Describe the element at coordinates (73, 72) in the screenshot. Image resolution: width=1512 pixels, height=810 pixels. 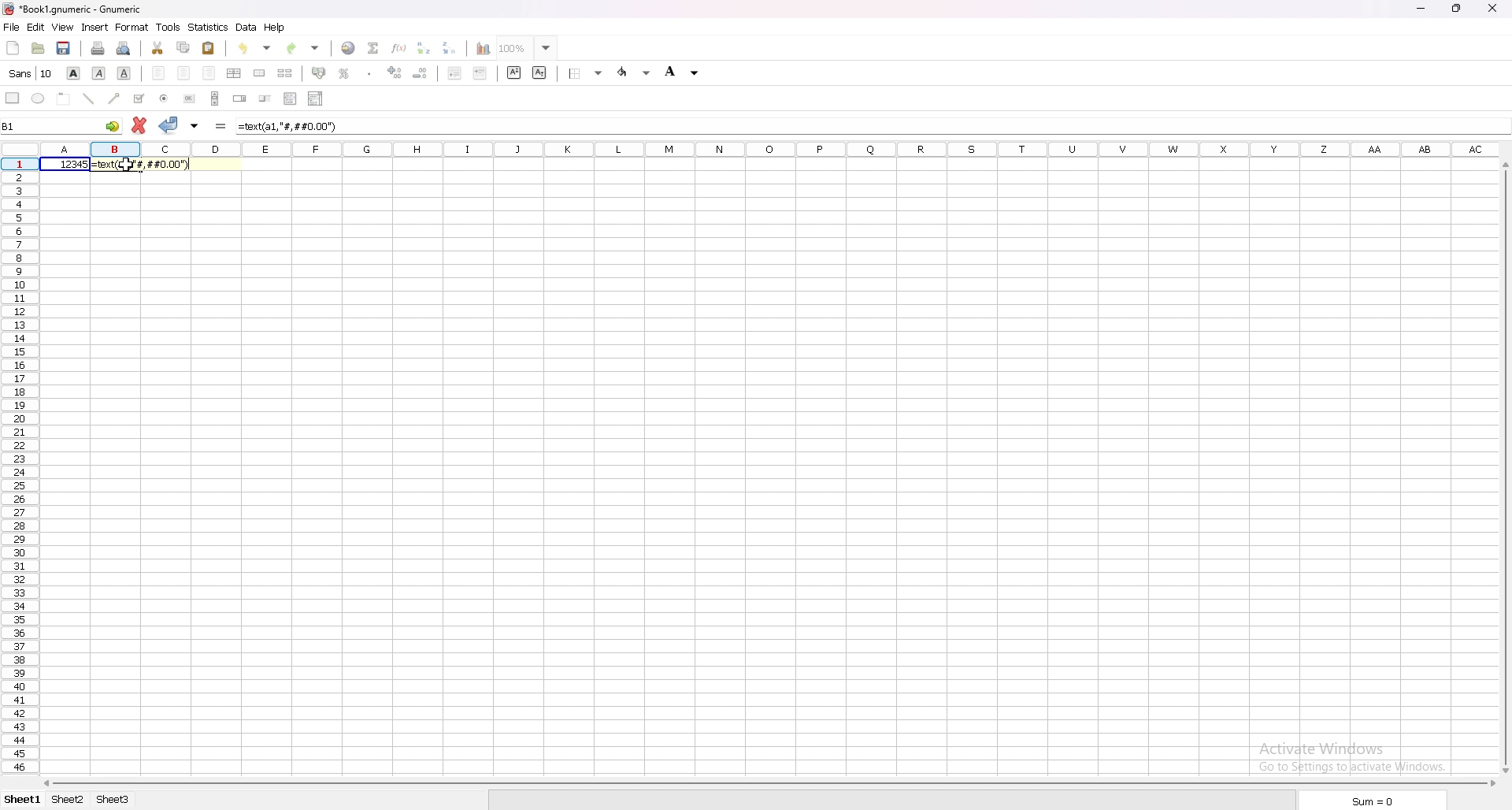
I see `bold` at that location.